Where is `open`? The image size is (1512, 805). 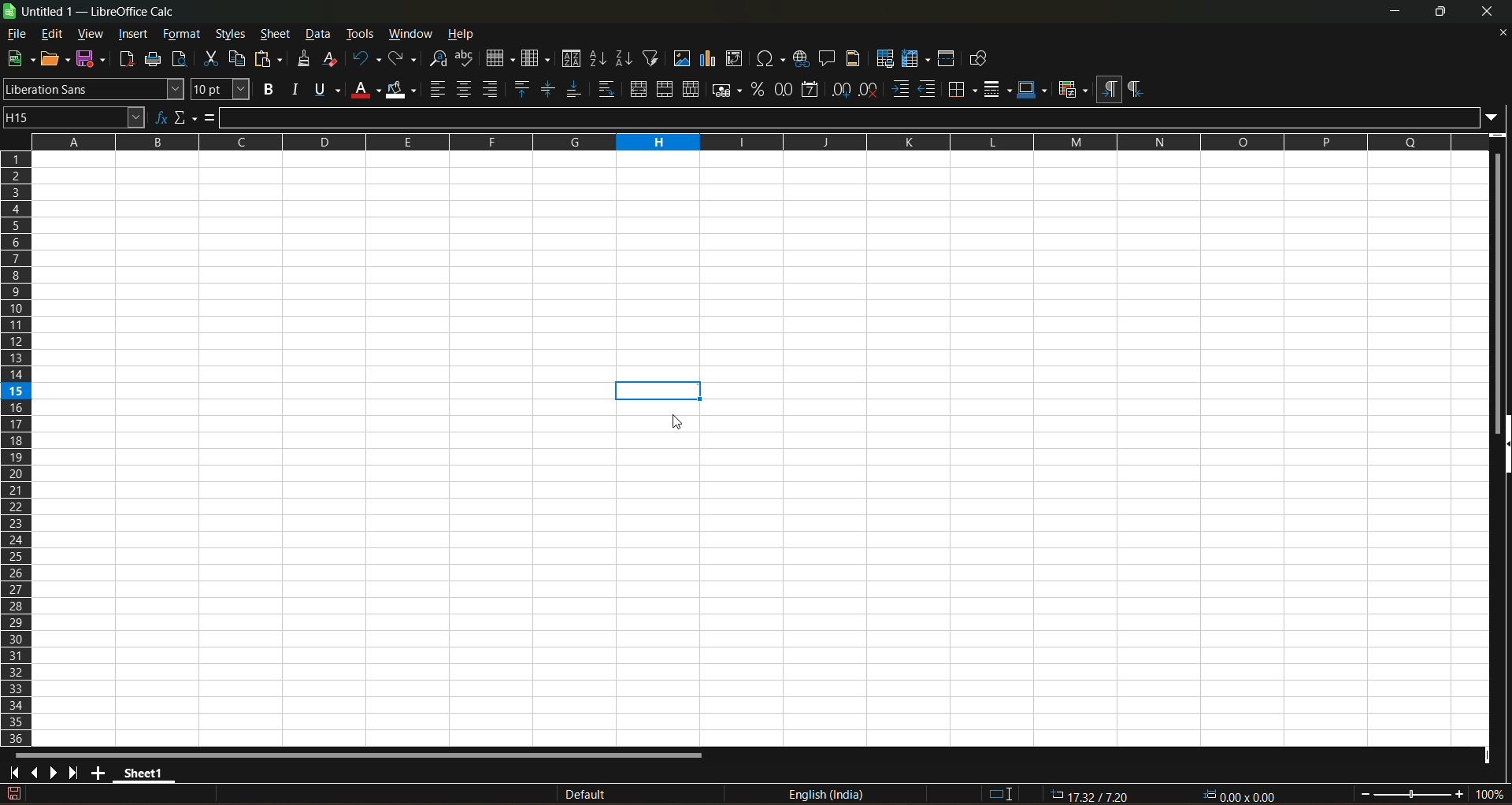
open is located at coordinates (55, 57).